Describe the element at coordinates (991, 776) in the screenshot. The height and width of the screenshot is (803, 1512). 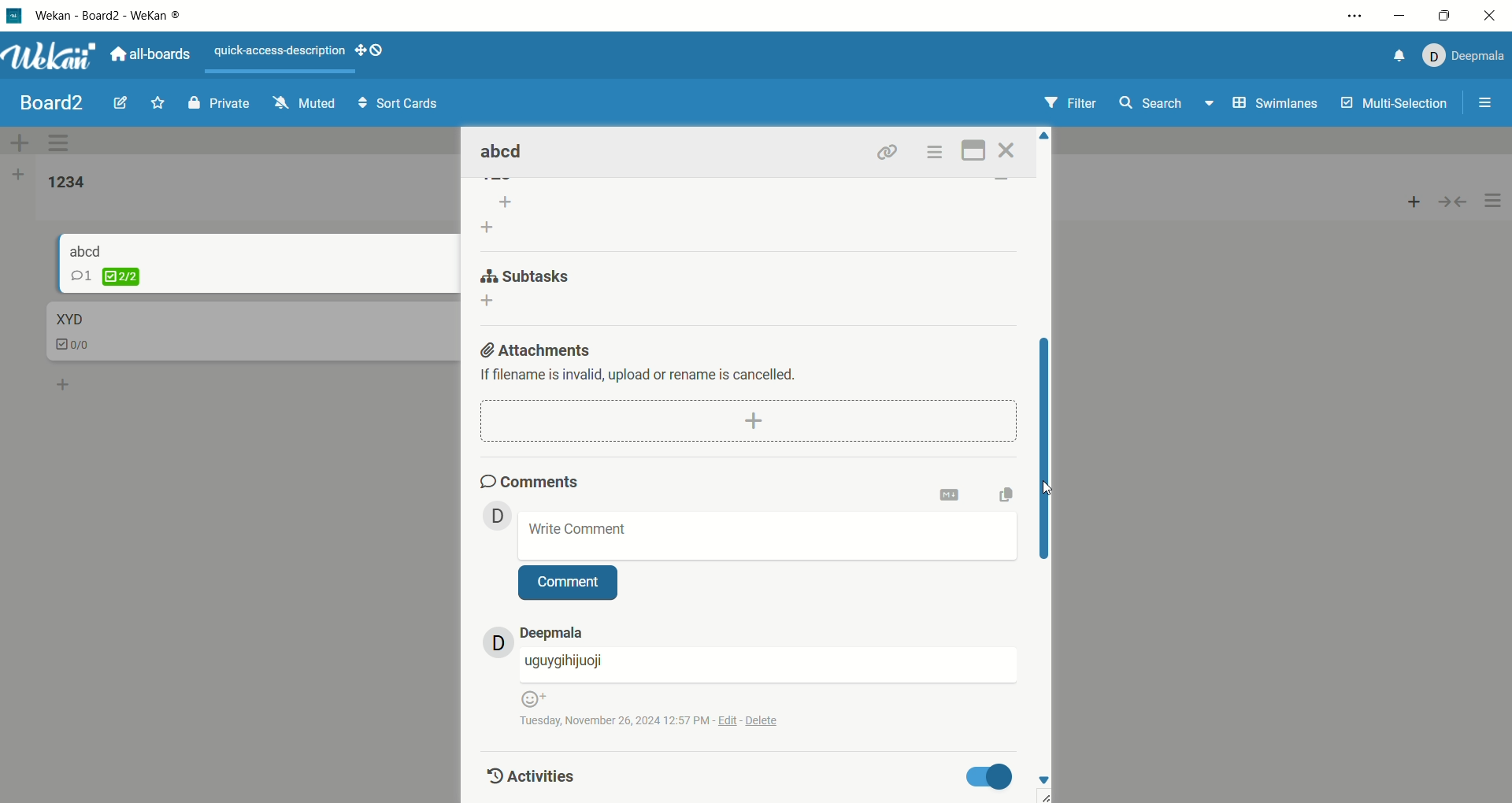
I see `toggle button` at that location.